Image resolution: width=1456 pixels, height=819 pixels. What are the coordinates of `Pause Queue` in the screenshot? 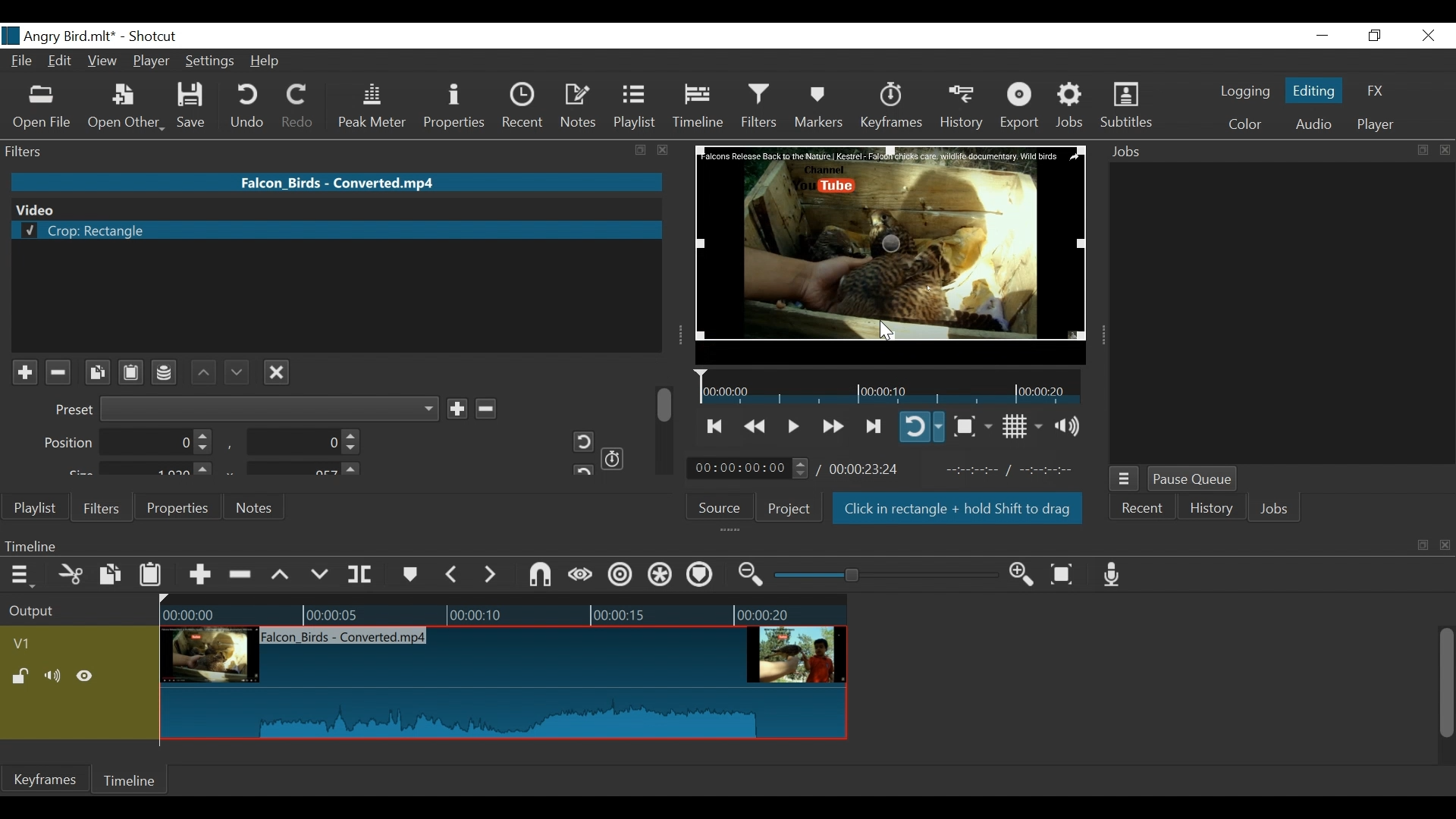 It's located at (1194, 480).